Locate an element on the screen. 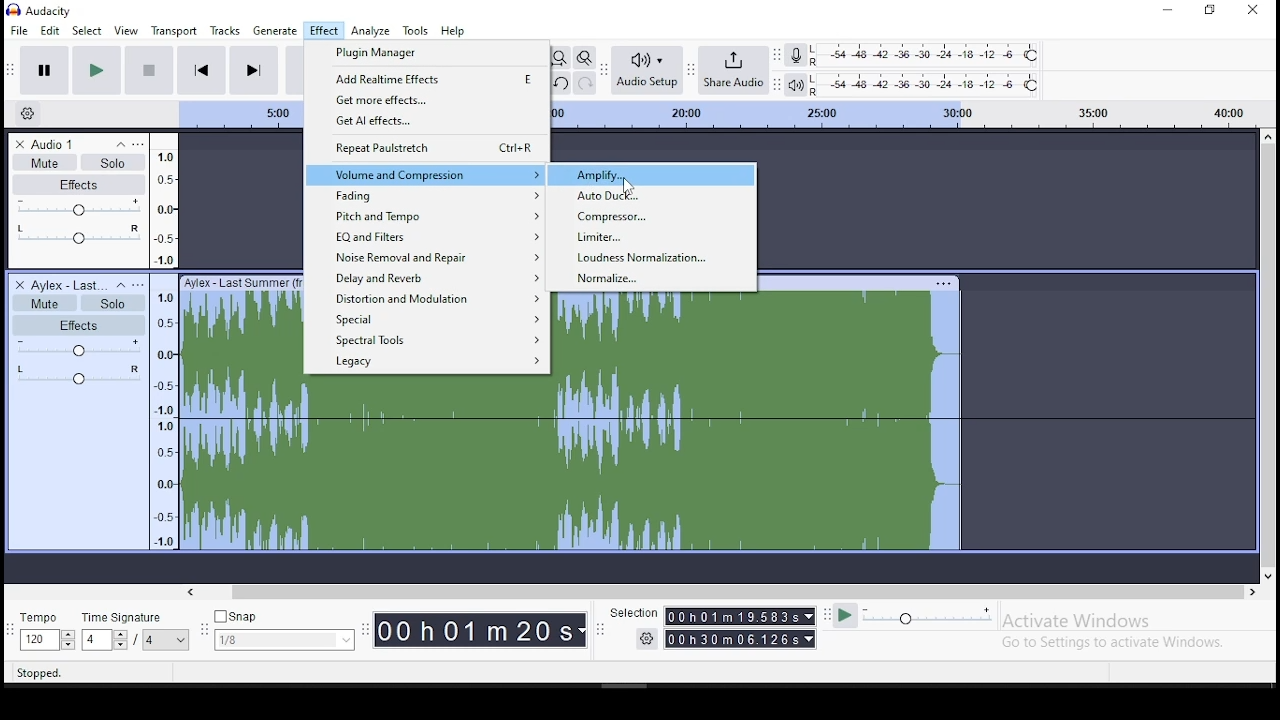  rime signature is located at coordinates (136, 632).